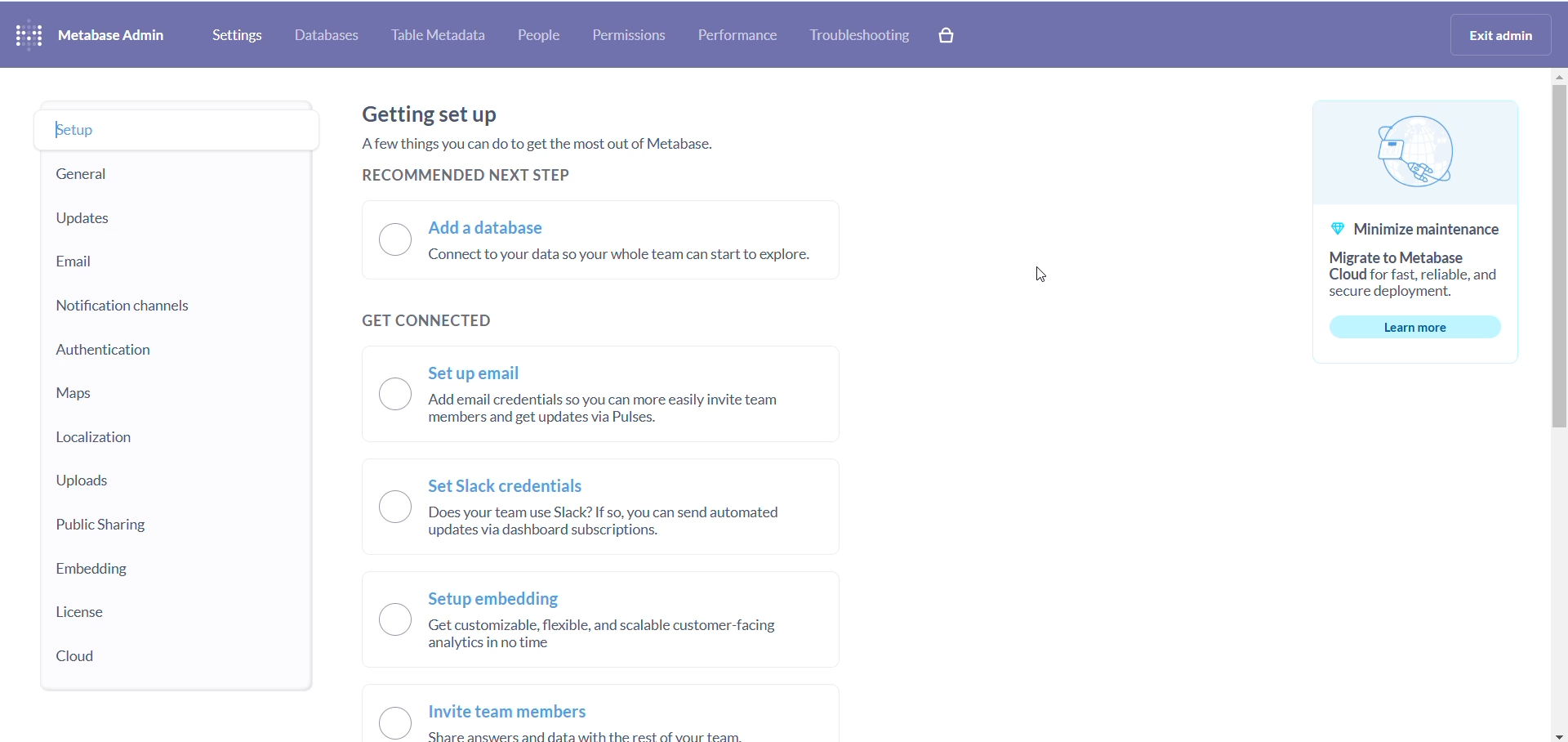  Describe the element at coordinates (1032, 278) in the screenshot. I see `cursor` at that location.